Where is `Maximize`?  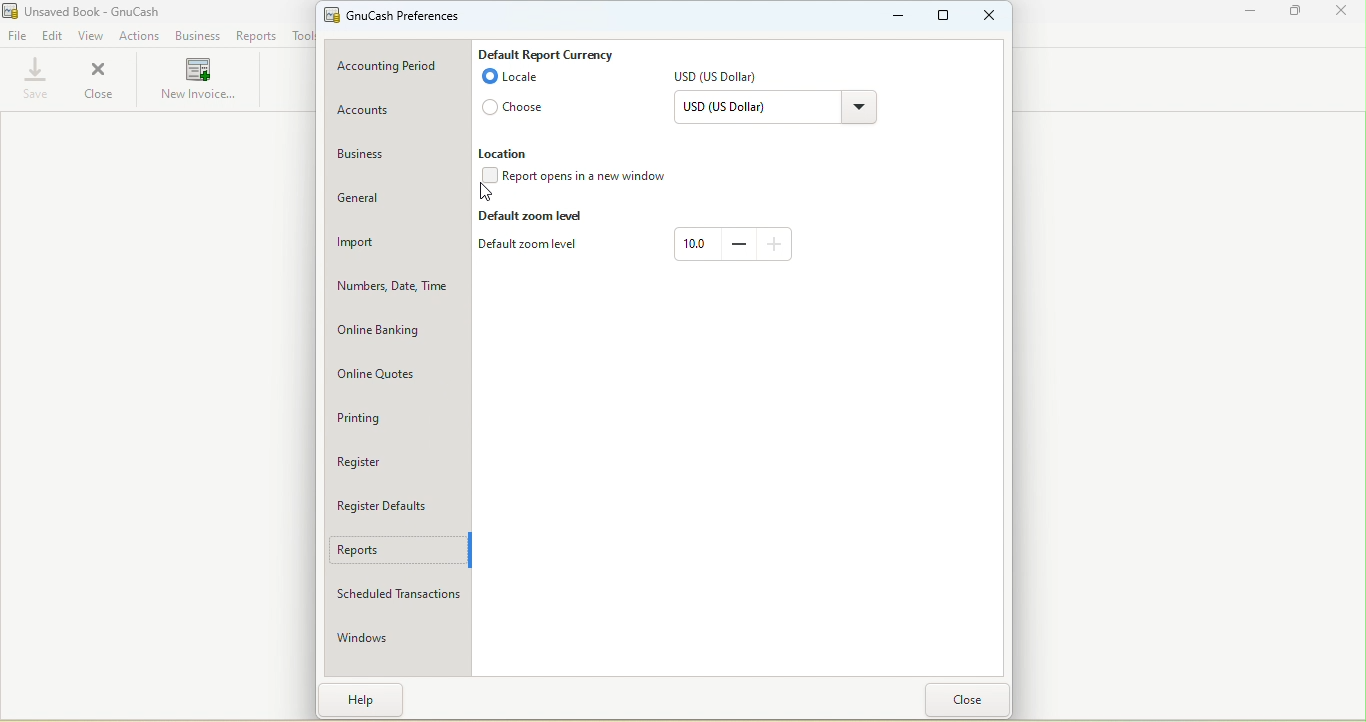 Maximize is located at coordinates (947, 17).